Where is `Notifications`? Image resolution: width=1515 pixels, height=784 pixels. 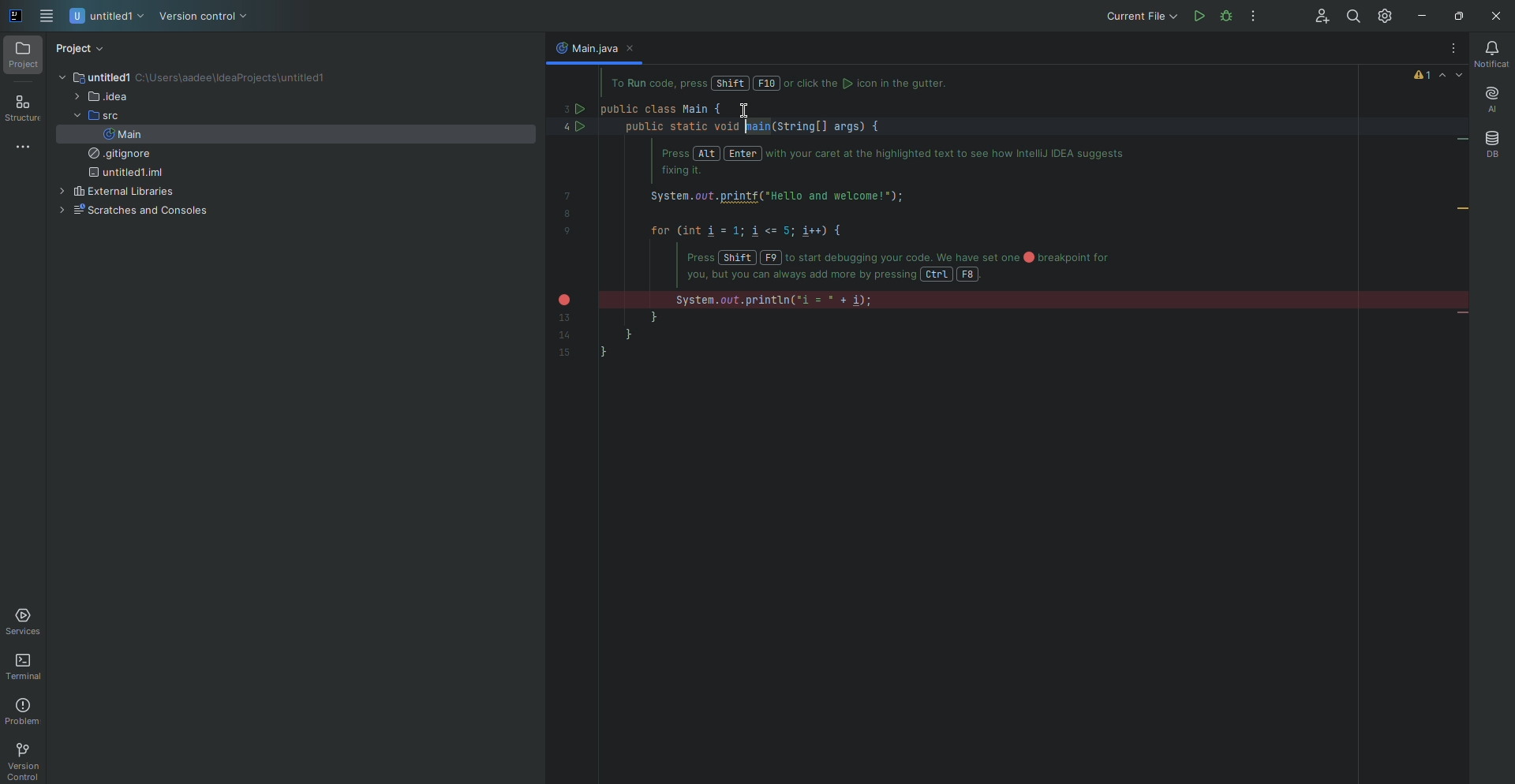
Notifications is located at coordinates (1489, 54).